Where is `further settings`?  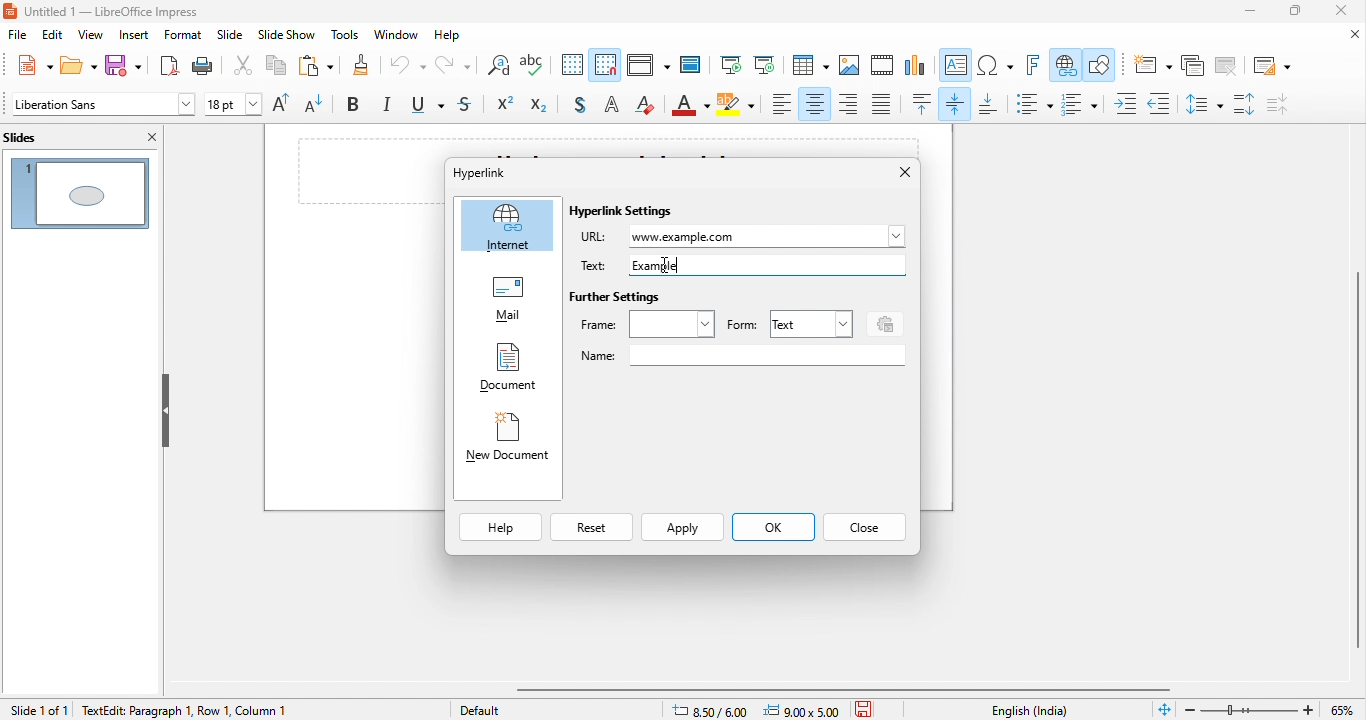
further settings is located at coordinates (617, 298).